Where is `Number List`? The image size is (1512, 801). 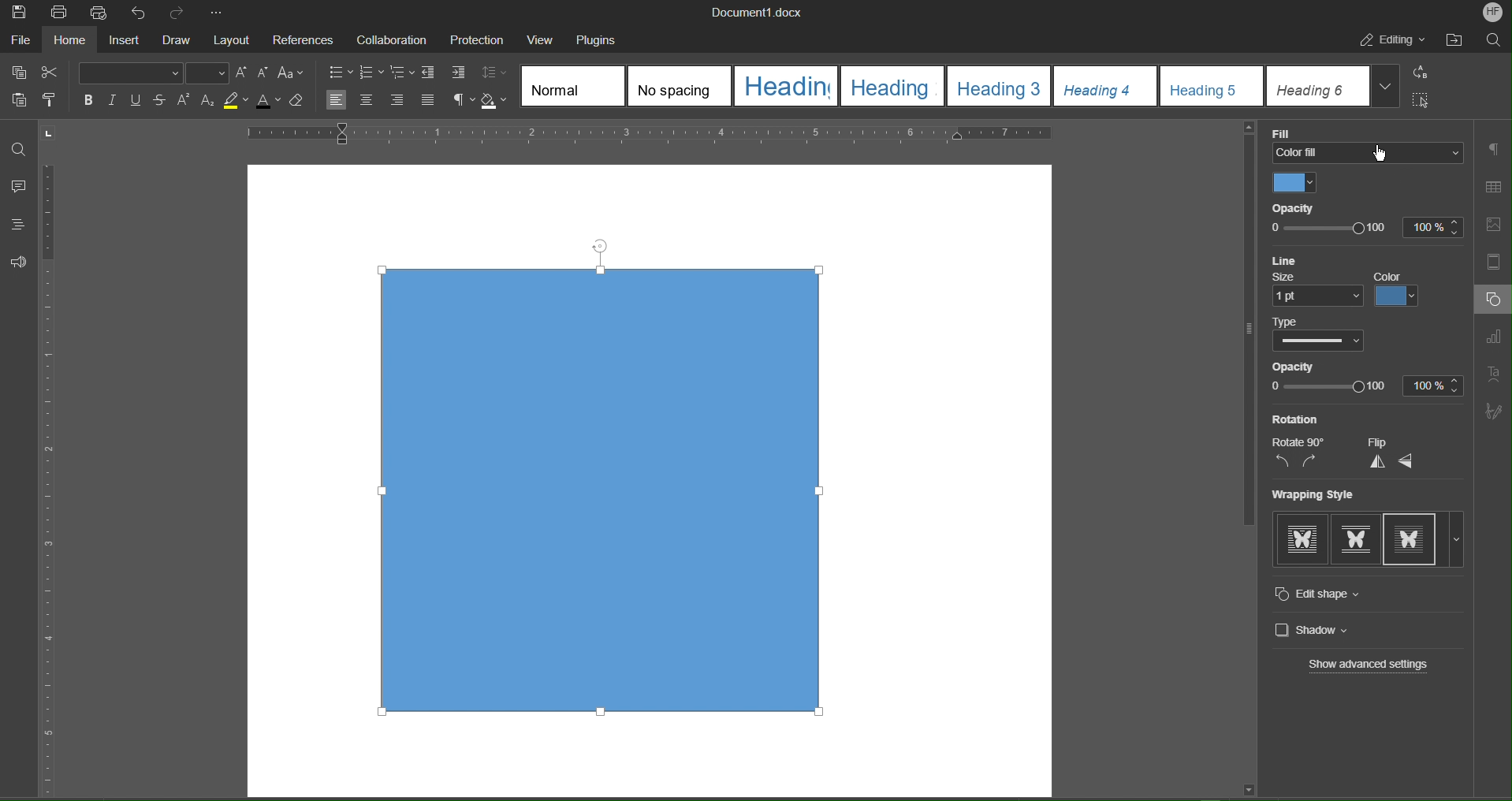 Number List is located at coordinates (373, 73).